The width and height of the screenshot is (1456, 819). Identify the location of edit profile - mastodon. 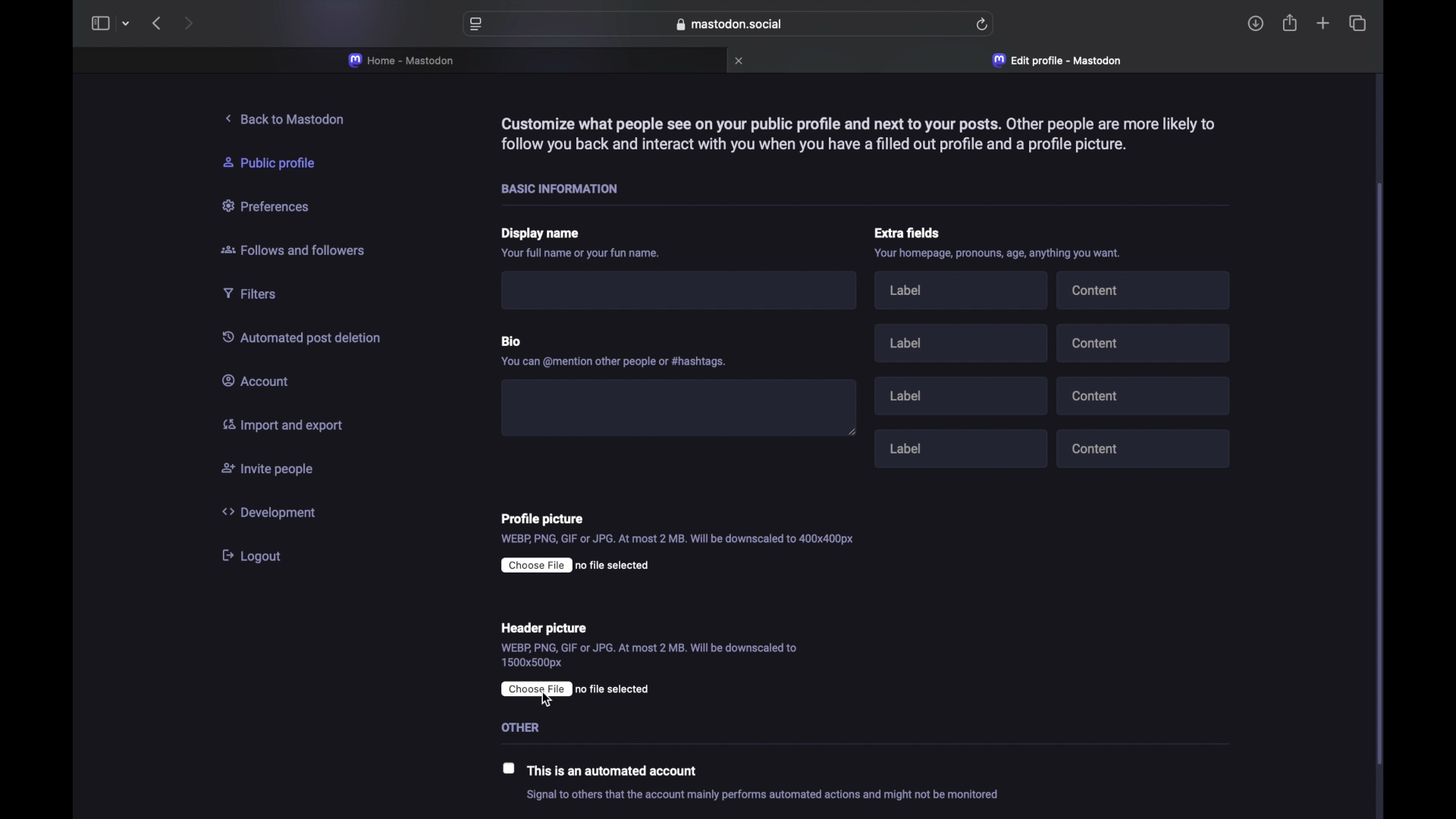
(1059, 61).